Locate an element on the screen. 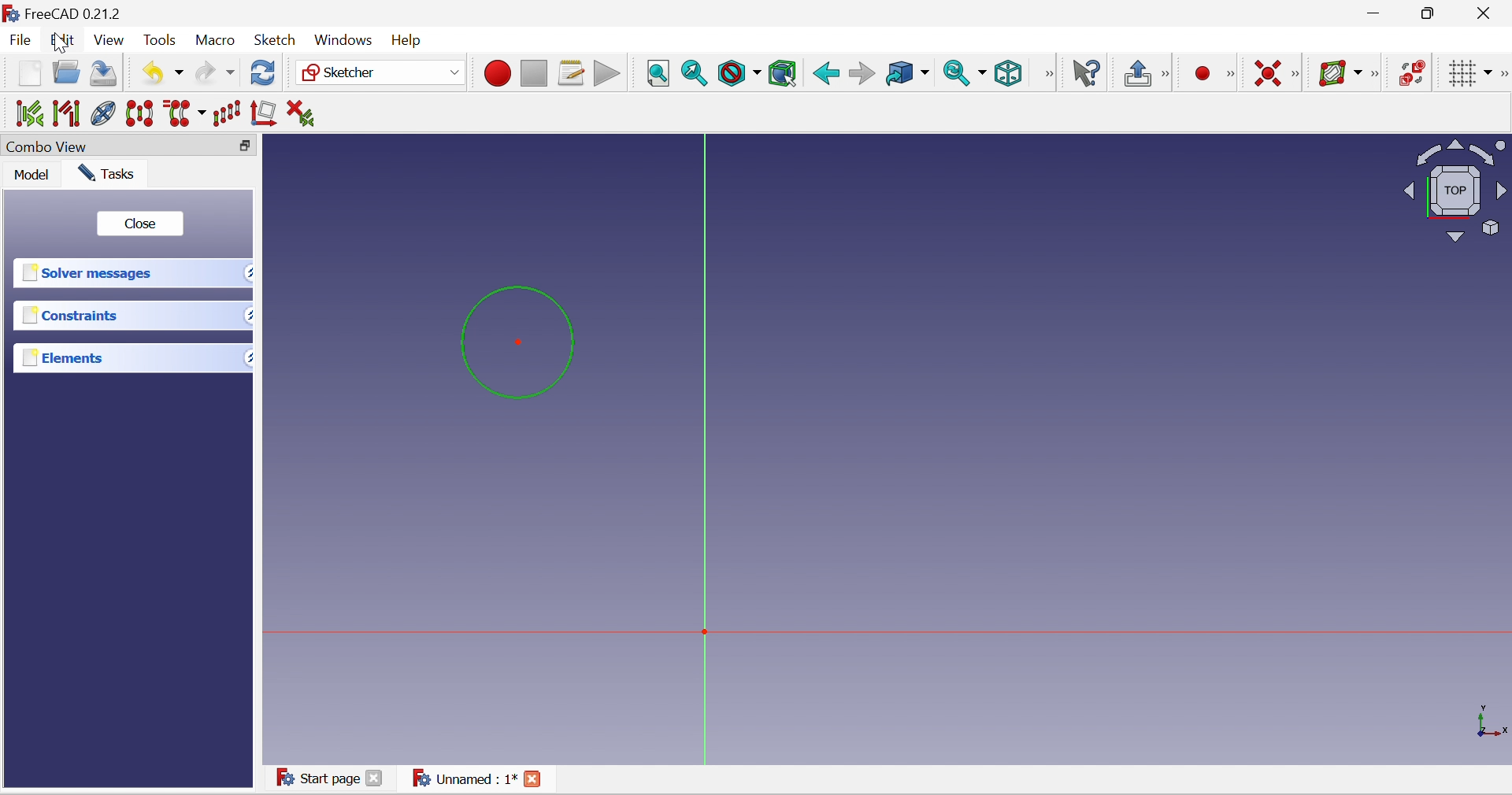 This screenshot has width=1512, height=795. Delete all constraints is located at coordinates (302, 113).